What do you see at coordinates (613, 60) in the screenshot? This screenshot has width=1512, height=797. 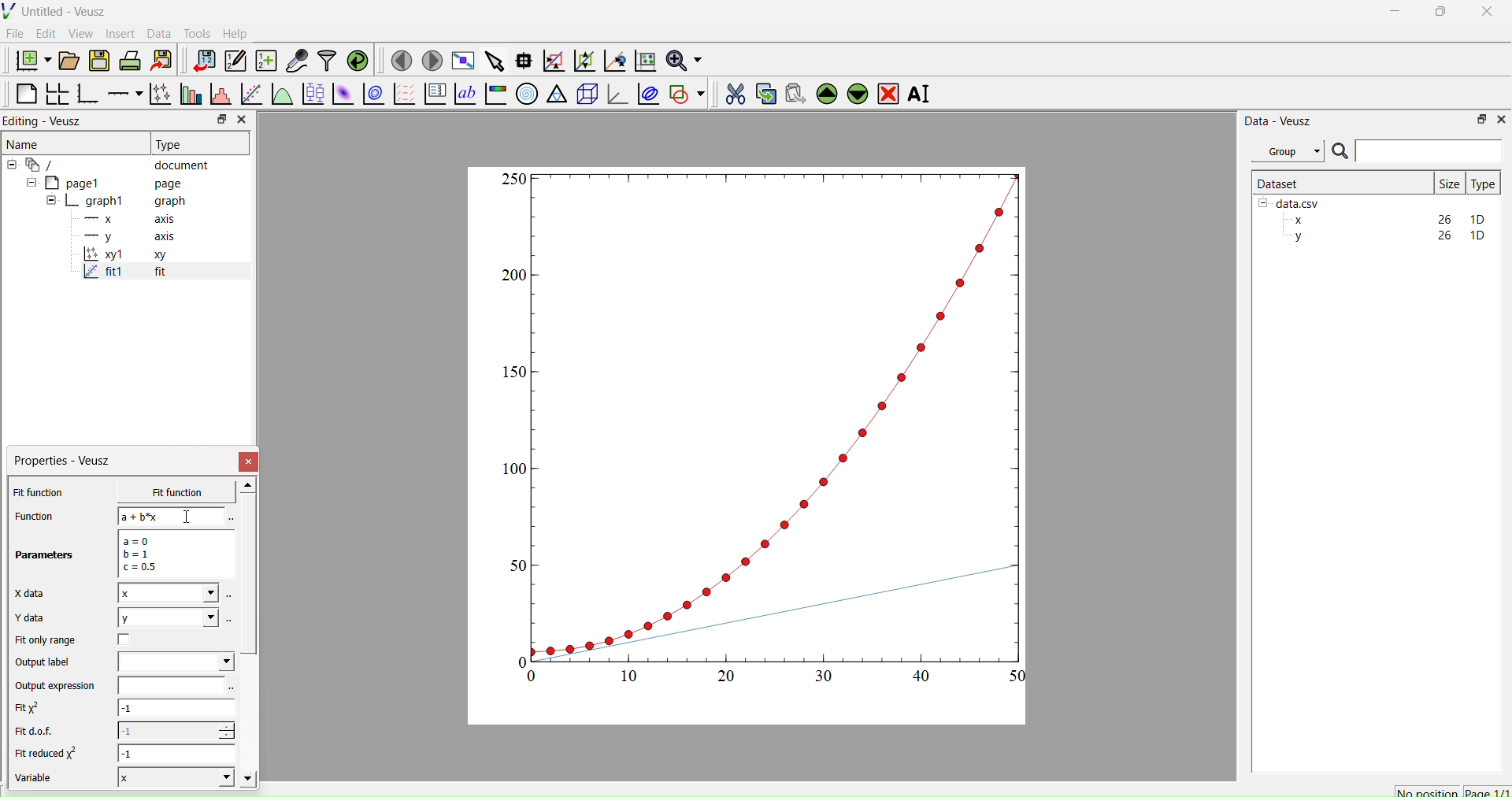 I see `Recenter graph axis` at bounding box center [613, 60].